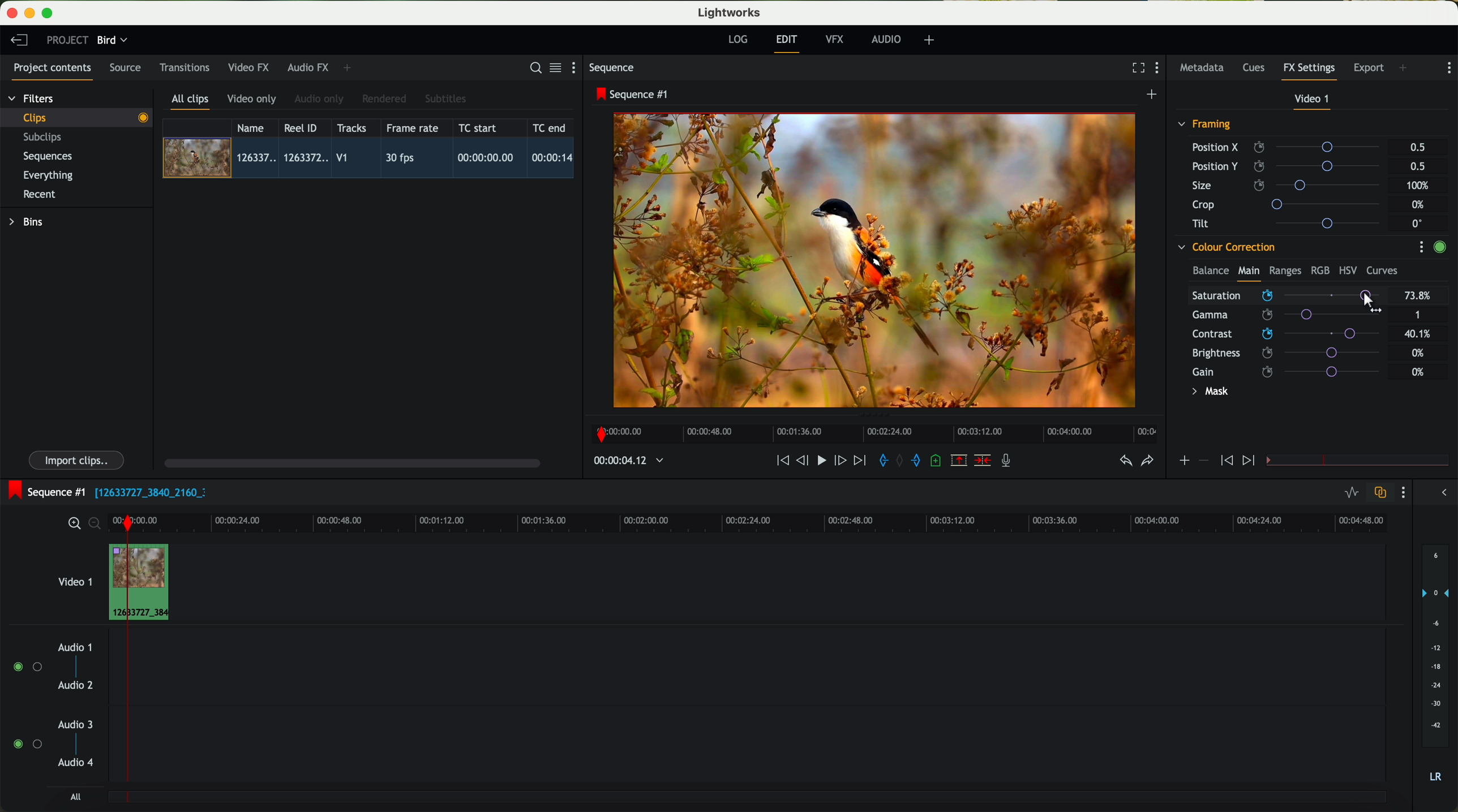 The height and width of the screenshot is (812, 1458). What do you see at coordinates (255, 128) in the screenshot?
I see `name` at bounding box center [255, 128].